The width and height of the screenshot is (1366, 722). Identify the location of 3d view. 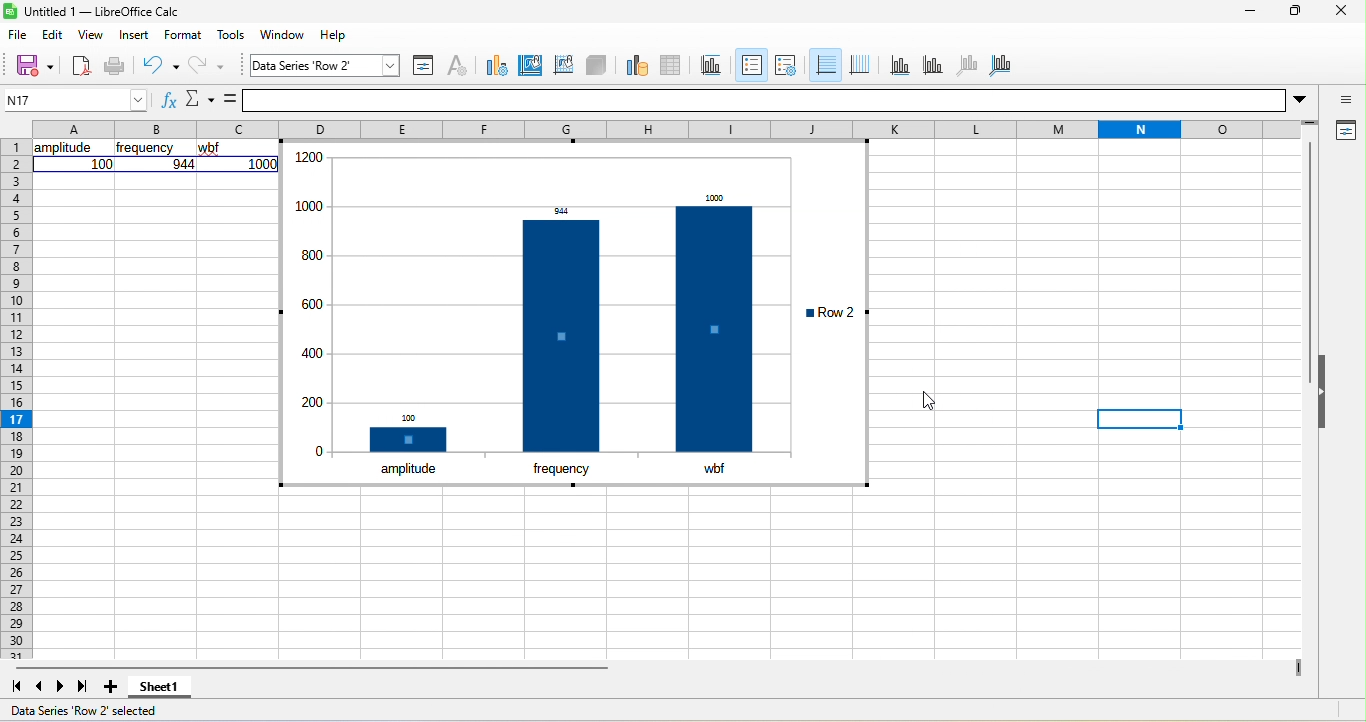
(599, 67).